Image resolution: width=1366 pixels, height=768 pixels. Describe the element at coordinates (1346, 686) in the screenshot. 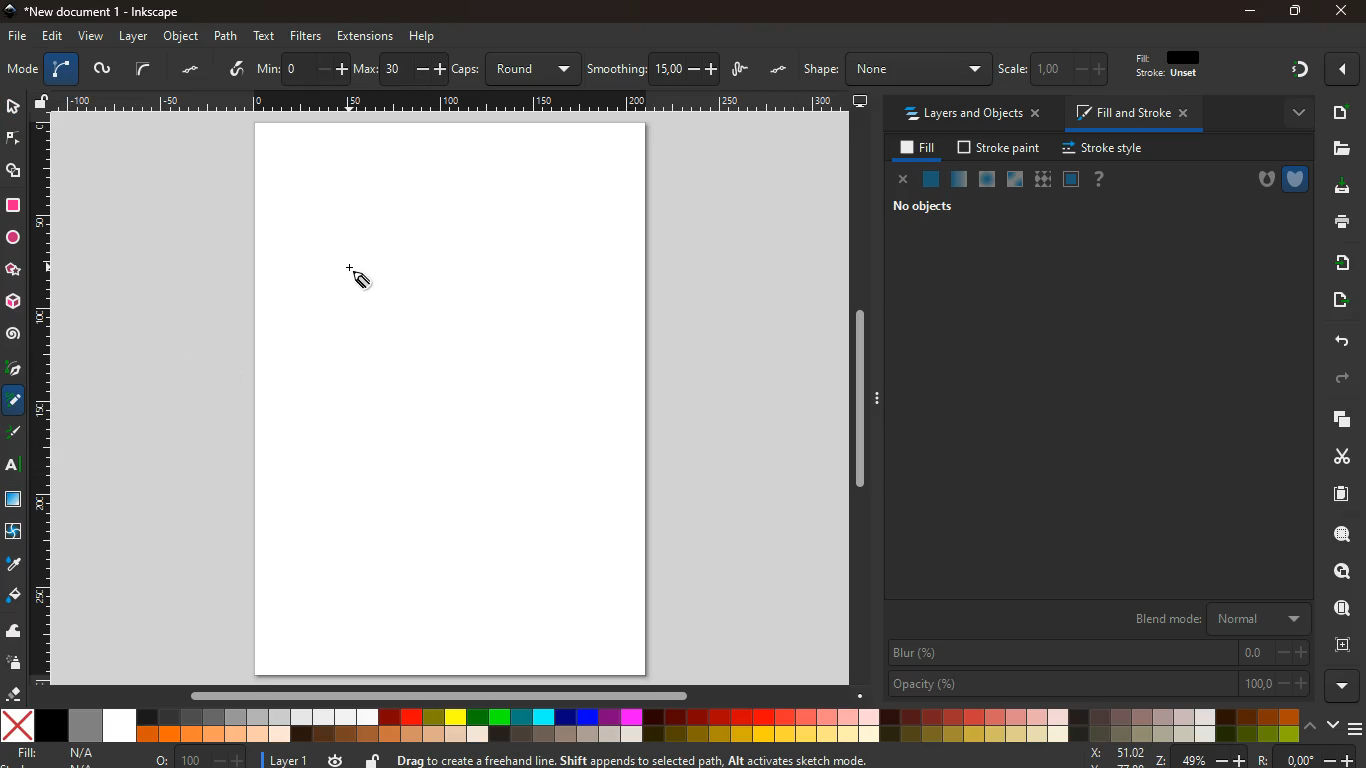

I see `more` at that location.